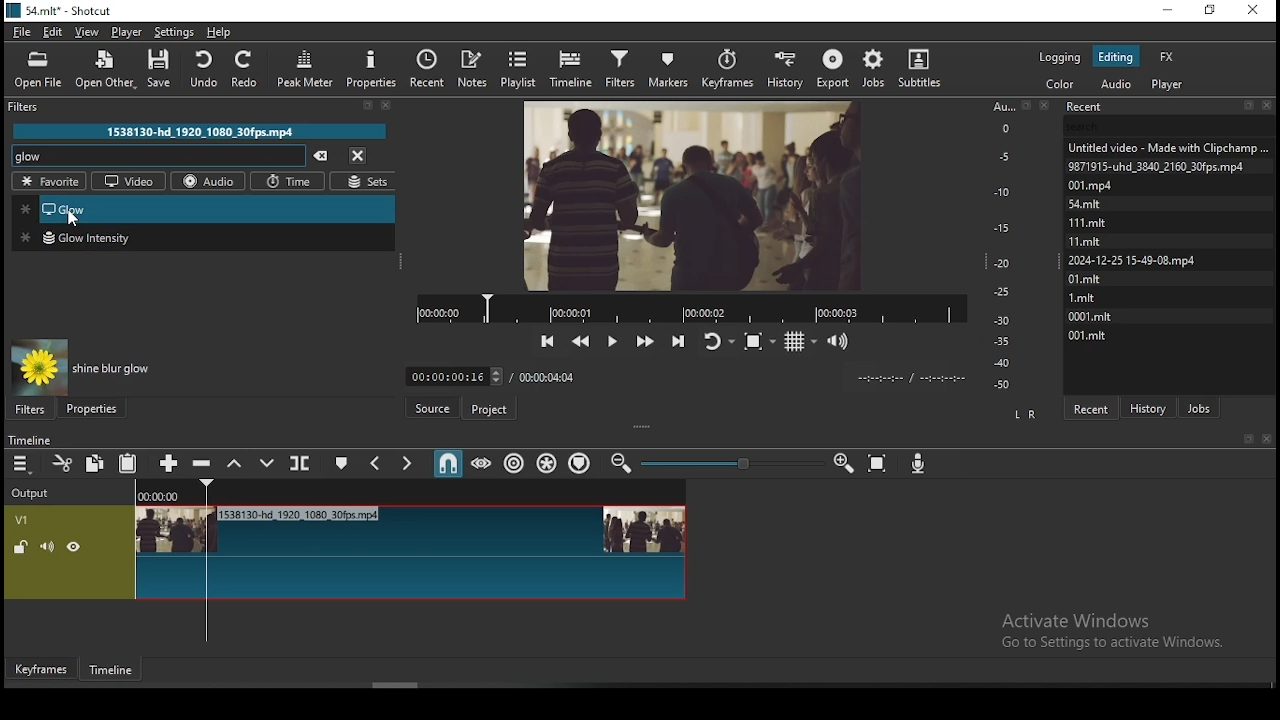  I want to click on source, so click(435, 409).